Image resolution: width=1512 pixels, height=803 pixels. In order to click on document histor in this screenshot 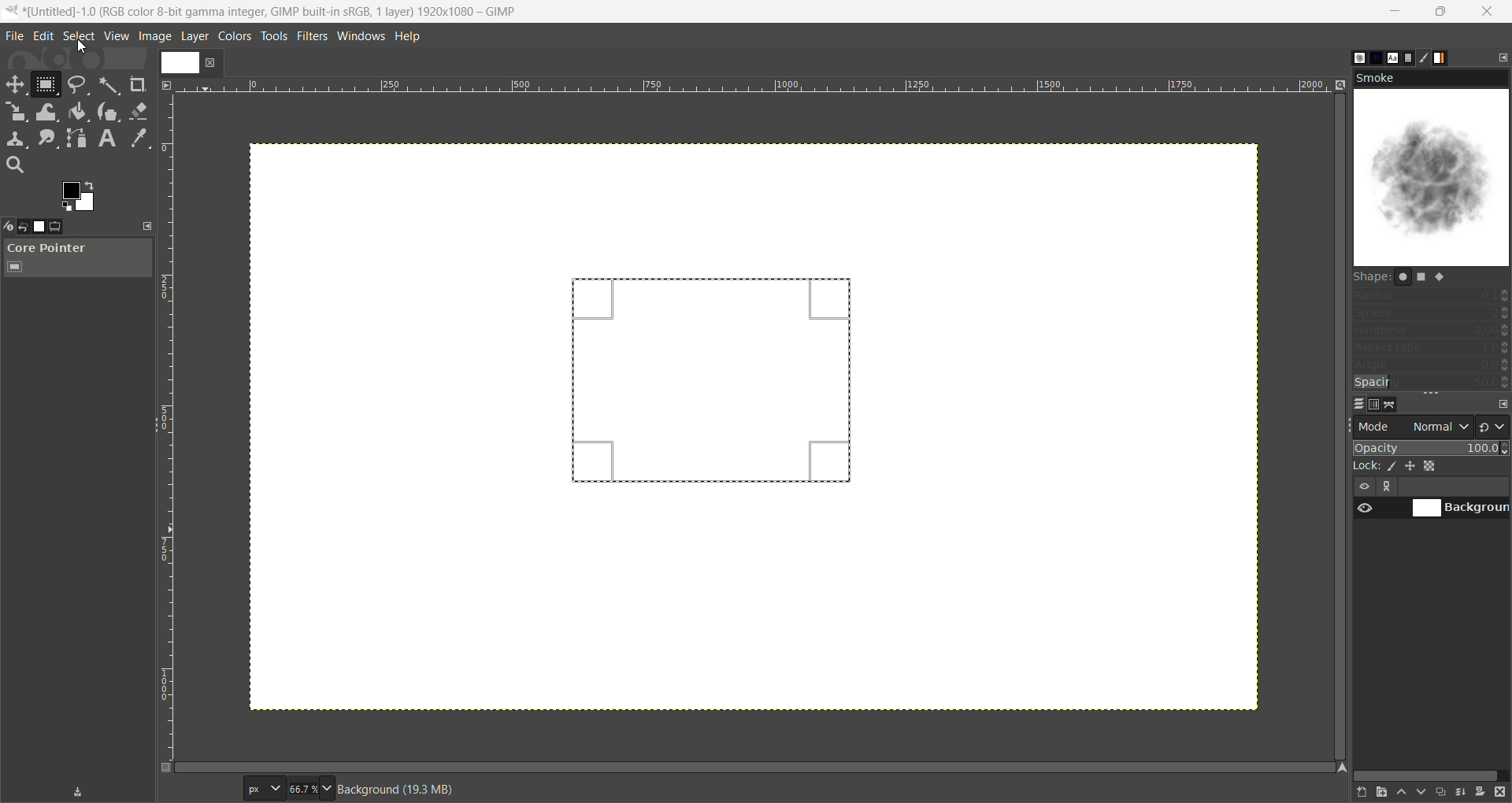, I will do `click(1405, 57)`.